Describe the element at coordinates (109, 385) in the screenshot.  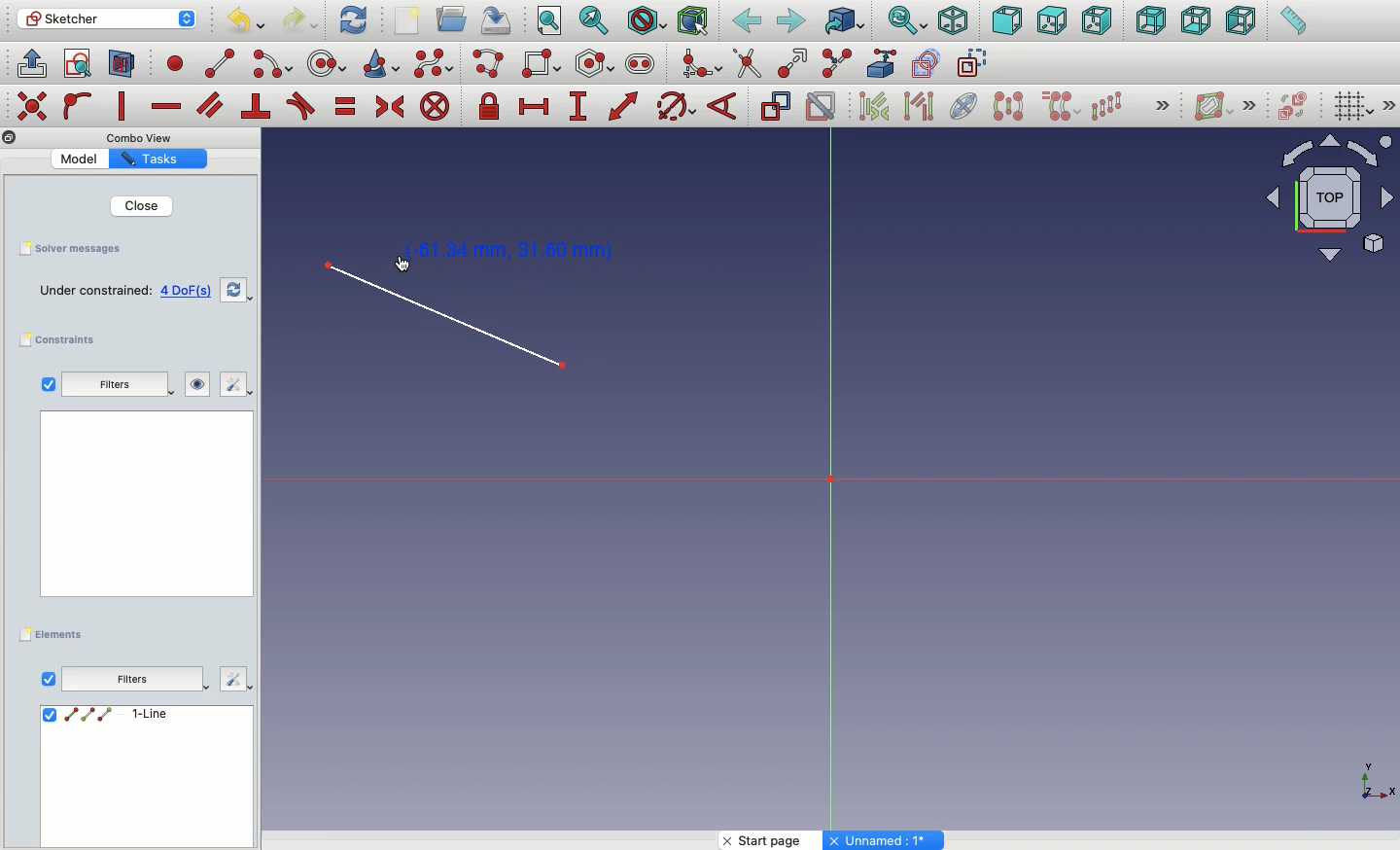
I see `Filters` at that location.